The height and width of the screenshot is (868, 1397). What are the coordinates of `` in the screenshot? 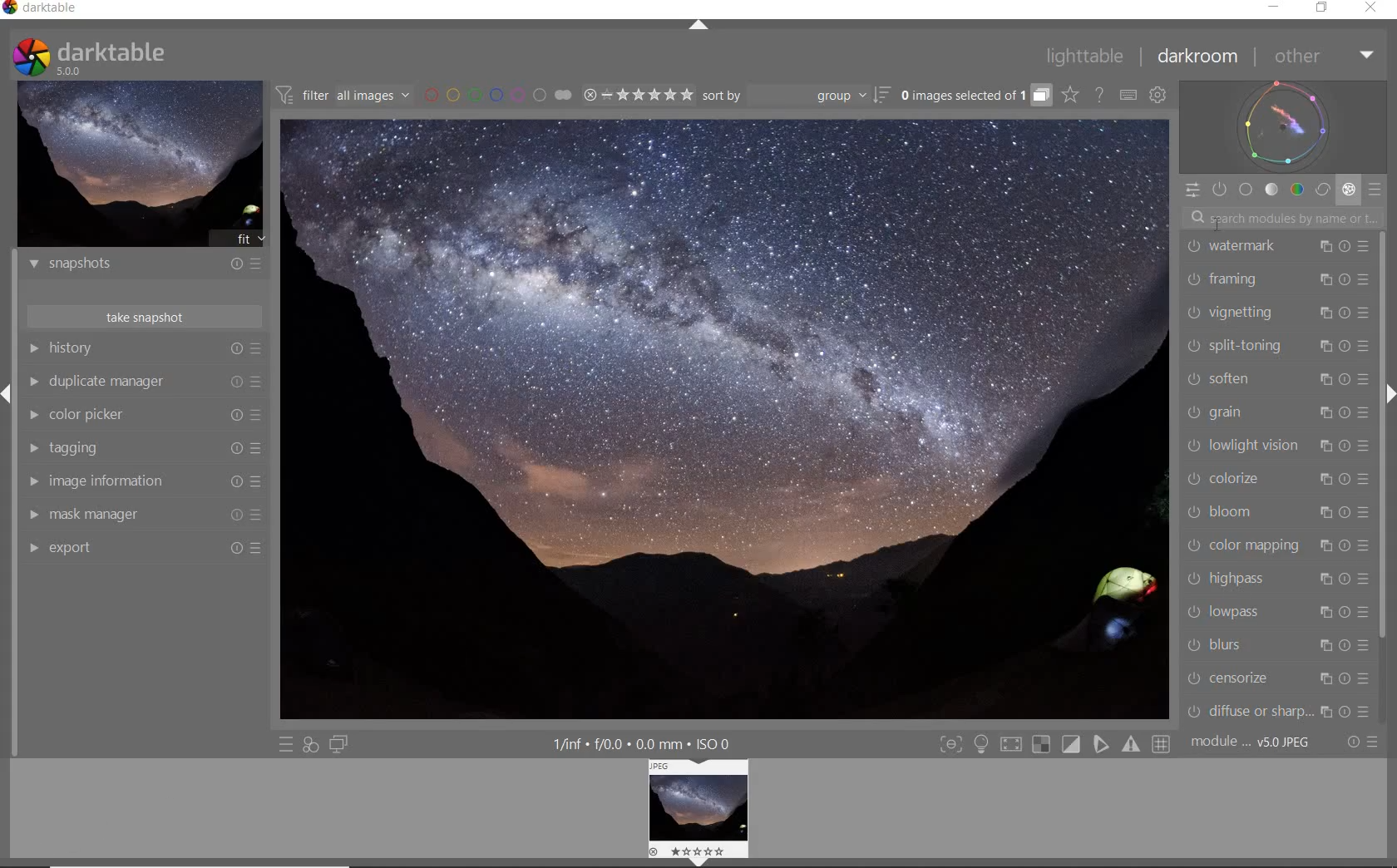 It's located at (1366, 515).